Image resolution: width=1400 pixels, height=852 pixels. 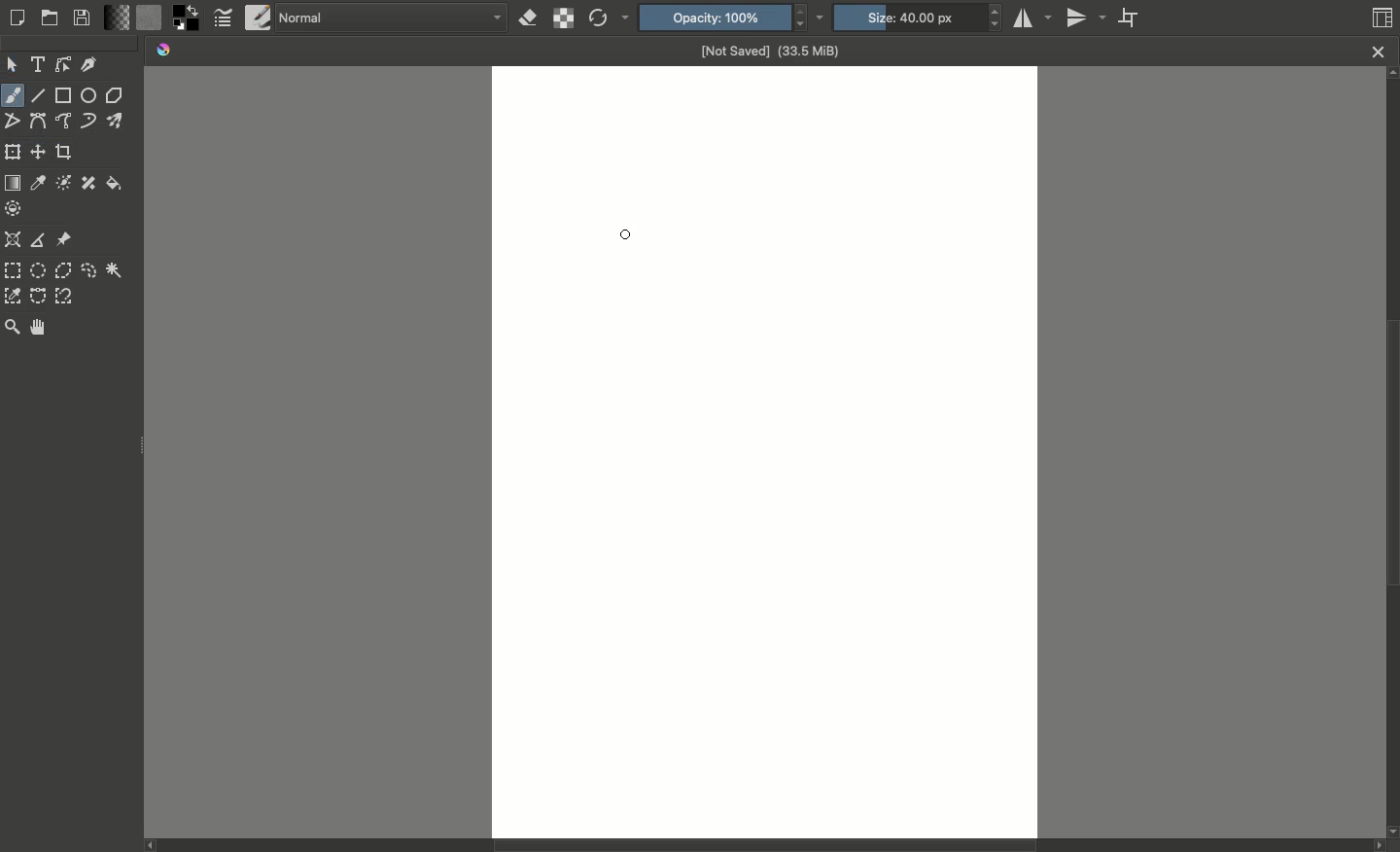 What do you see at coordinates (88, 121) in the screenshot?
I see `Dynamic brush tool` at bounding box center [88, 121].